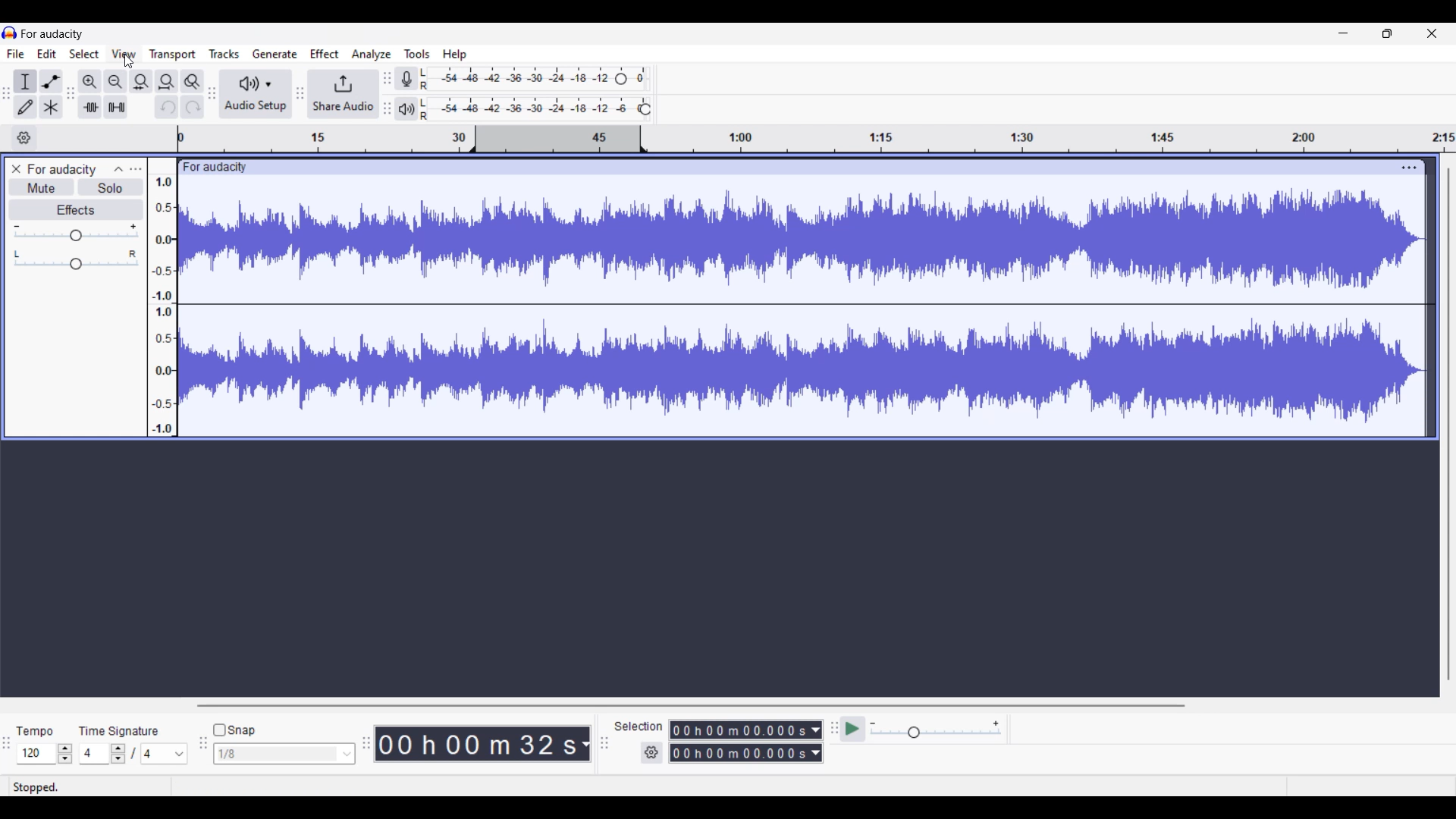 This screenshot has height=819, width=1456. Describe the element at coordinates (256, 94) in the screenshot. I see `Audio setup` at that location.